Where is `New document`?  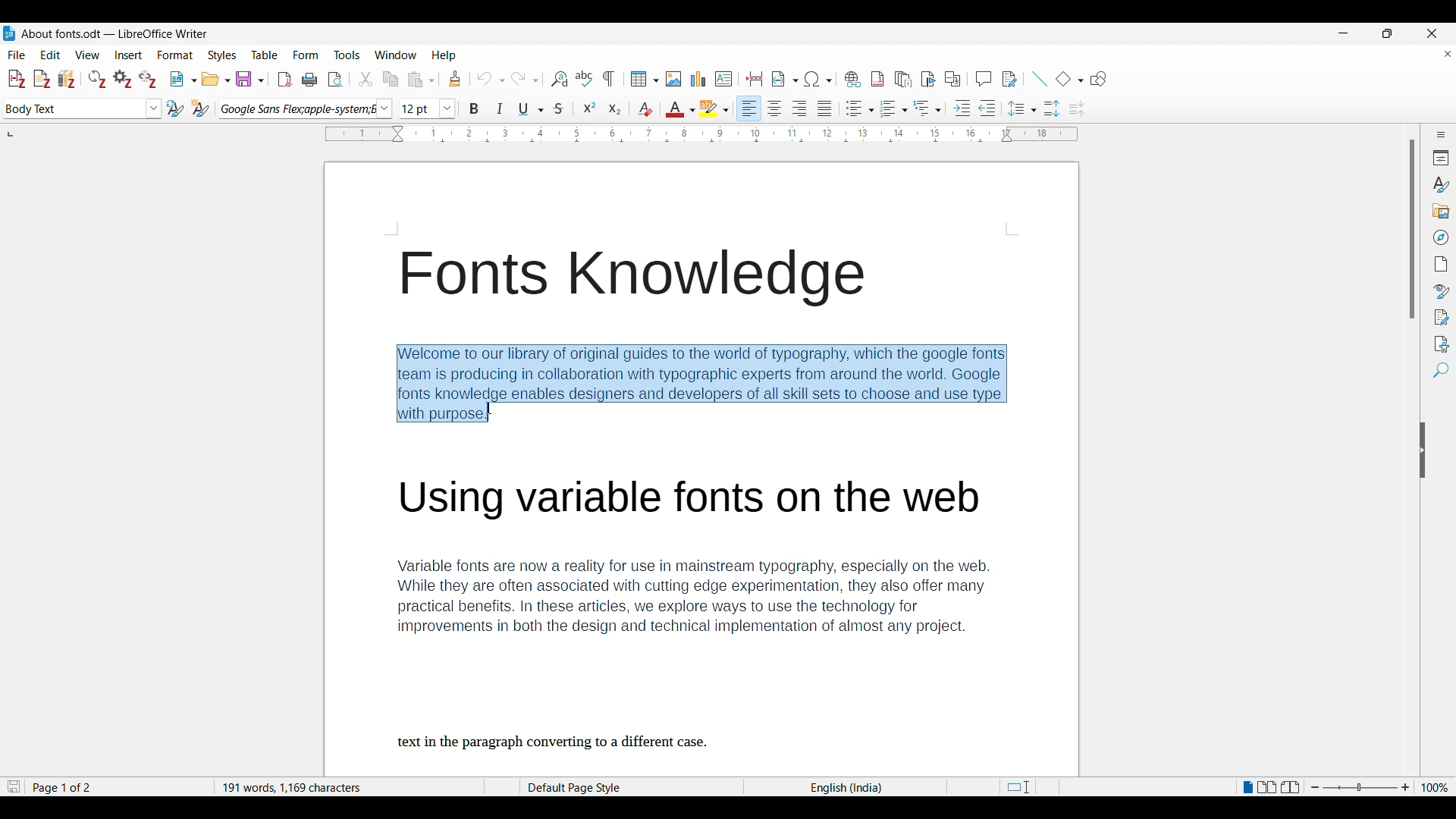 New document is located at coordinates (184, 79).